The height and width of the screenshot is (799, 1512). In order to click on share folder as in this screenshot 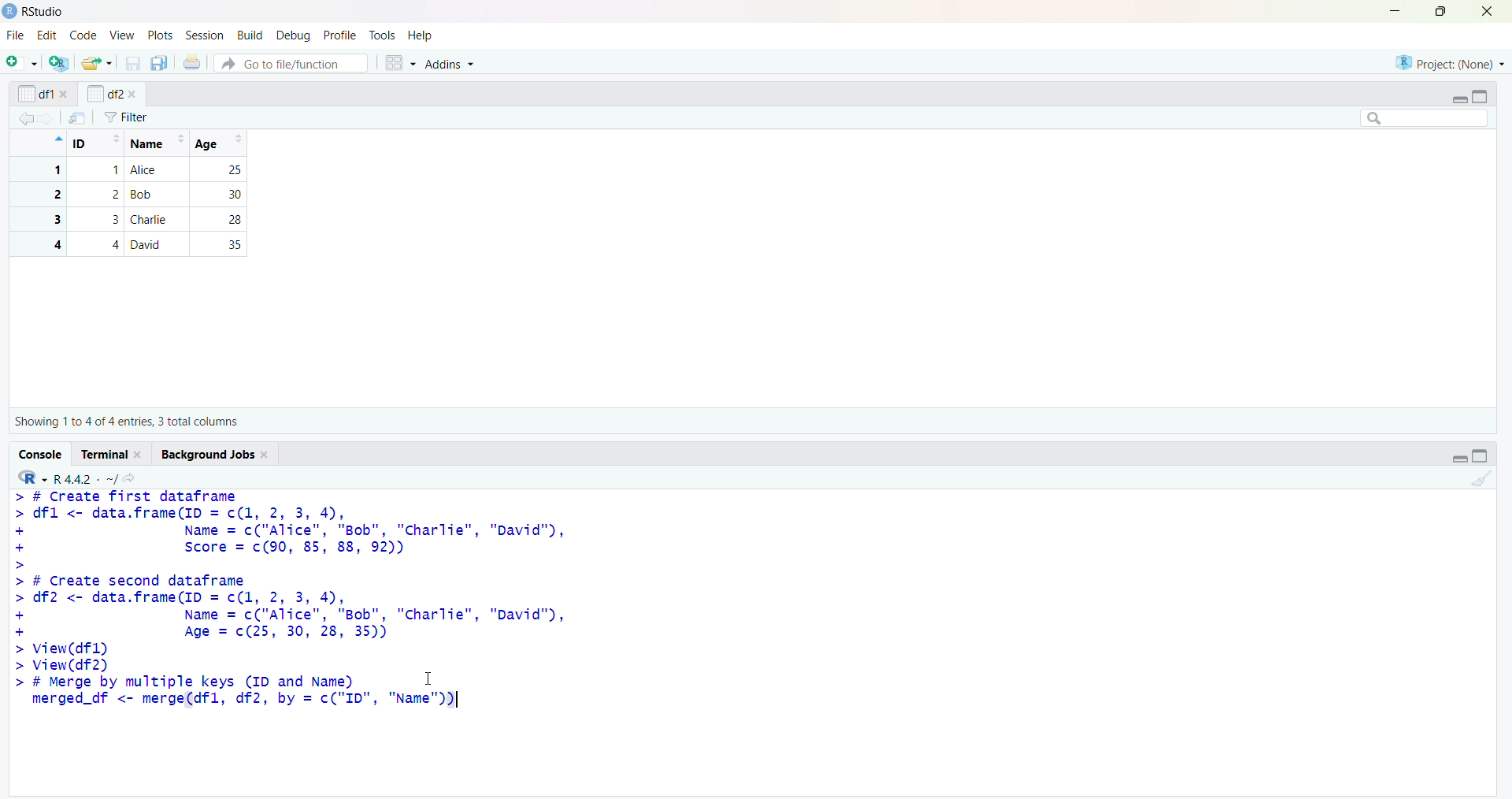, I will do `click(98, 63)`.